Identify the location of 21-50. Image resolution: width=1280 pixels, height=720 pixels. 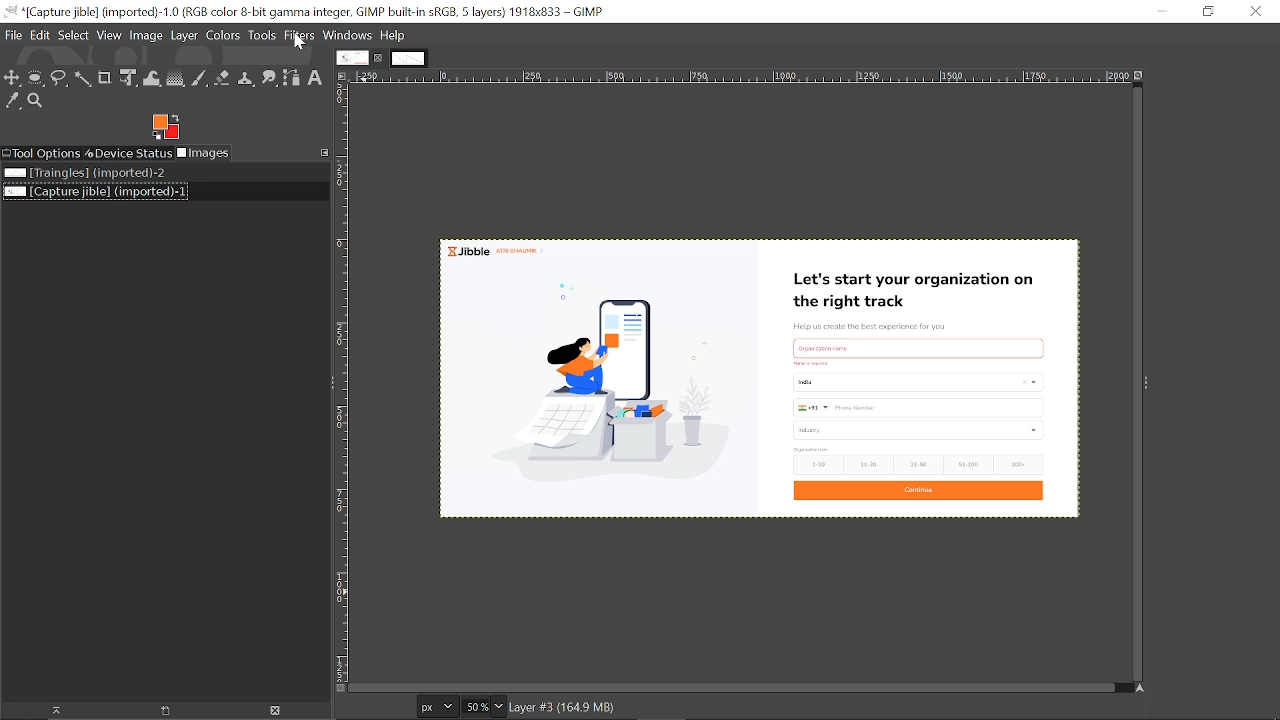
(919, 463).